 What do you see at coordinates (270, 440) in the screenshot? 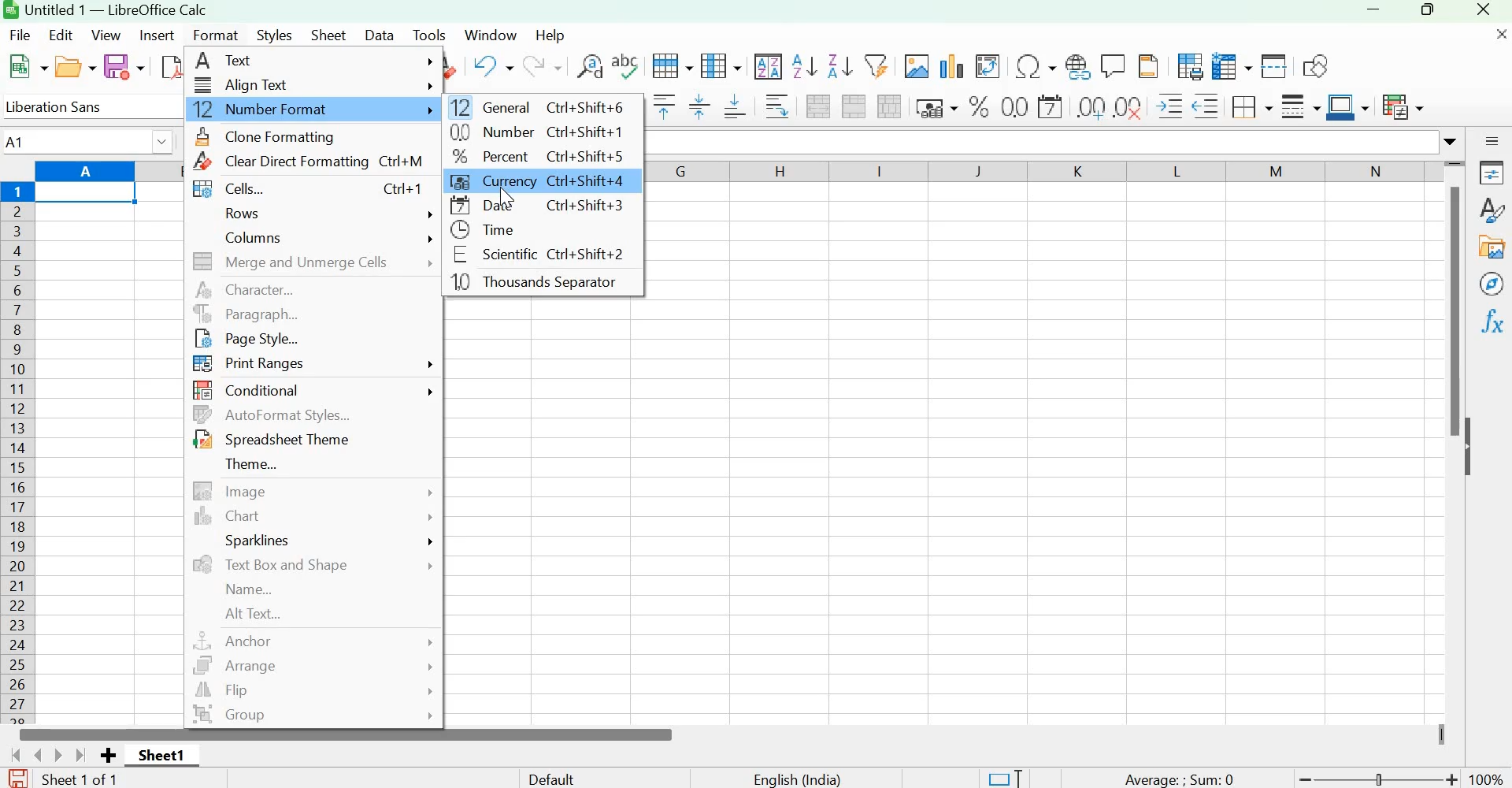
I see `Spreadsheet Theme` at bounding box center [270, 440].